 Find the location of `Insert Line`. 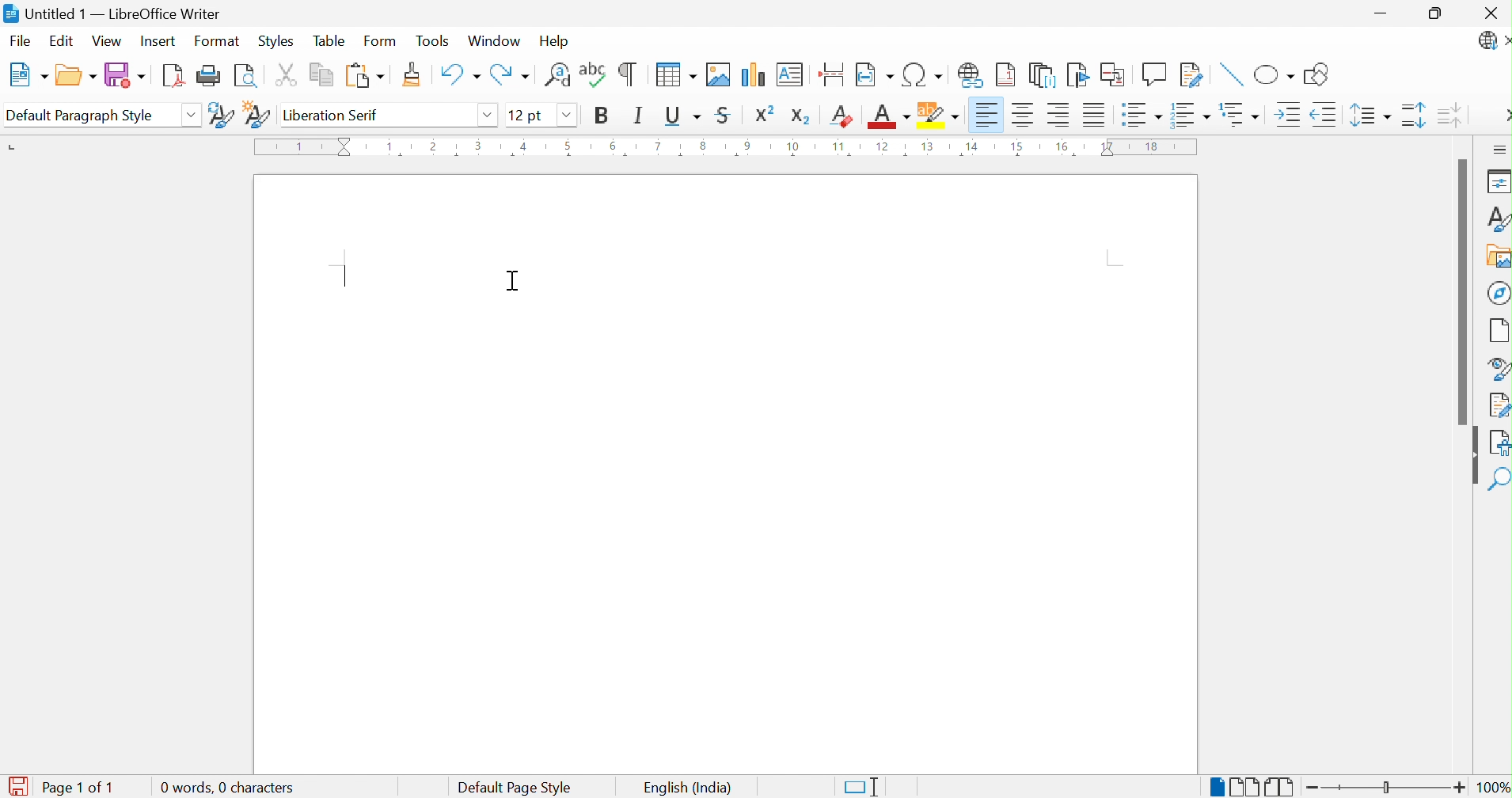

Insert Line is located at coordinates (1229, 74).